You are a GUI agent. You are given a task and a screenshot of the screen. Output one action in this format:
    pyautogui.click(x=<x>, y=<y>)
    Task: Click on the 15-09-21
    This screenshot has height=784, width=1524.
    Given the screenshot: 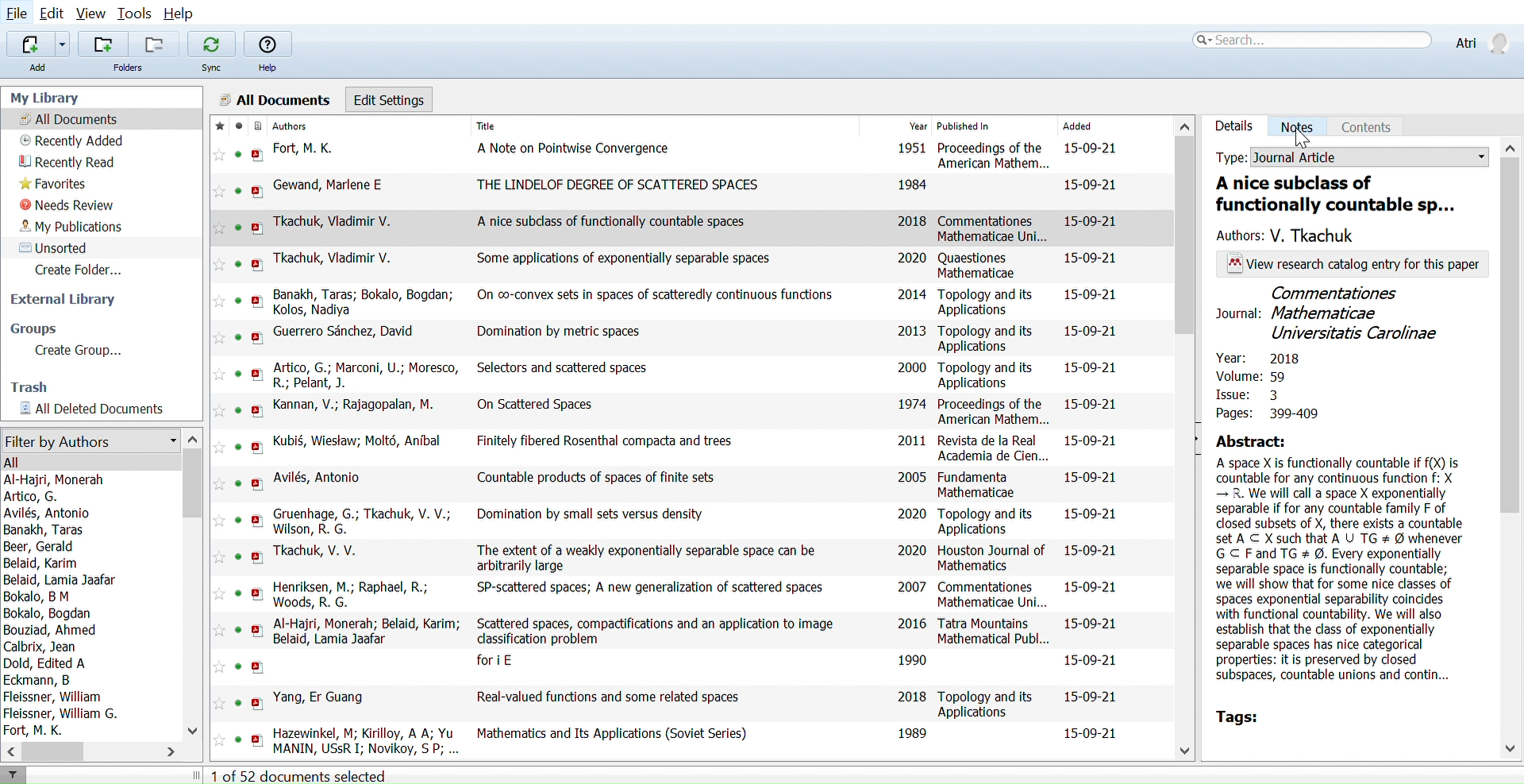 What is the action you would take?
    pyautogui.click(x=1095, y=332)
    